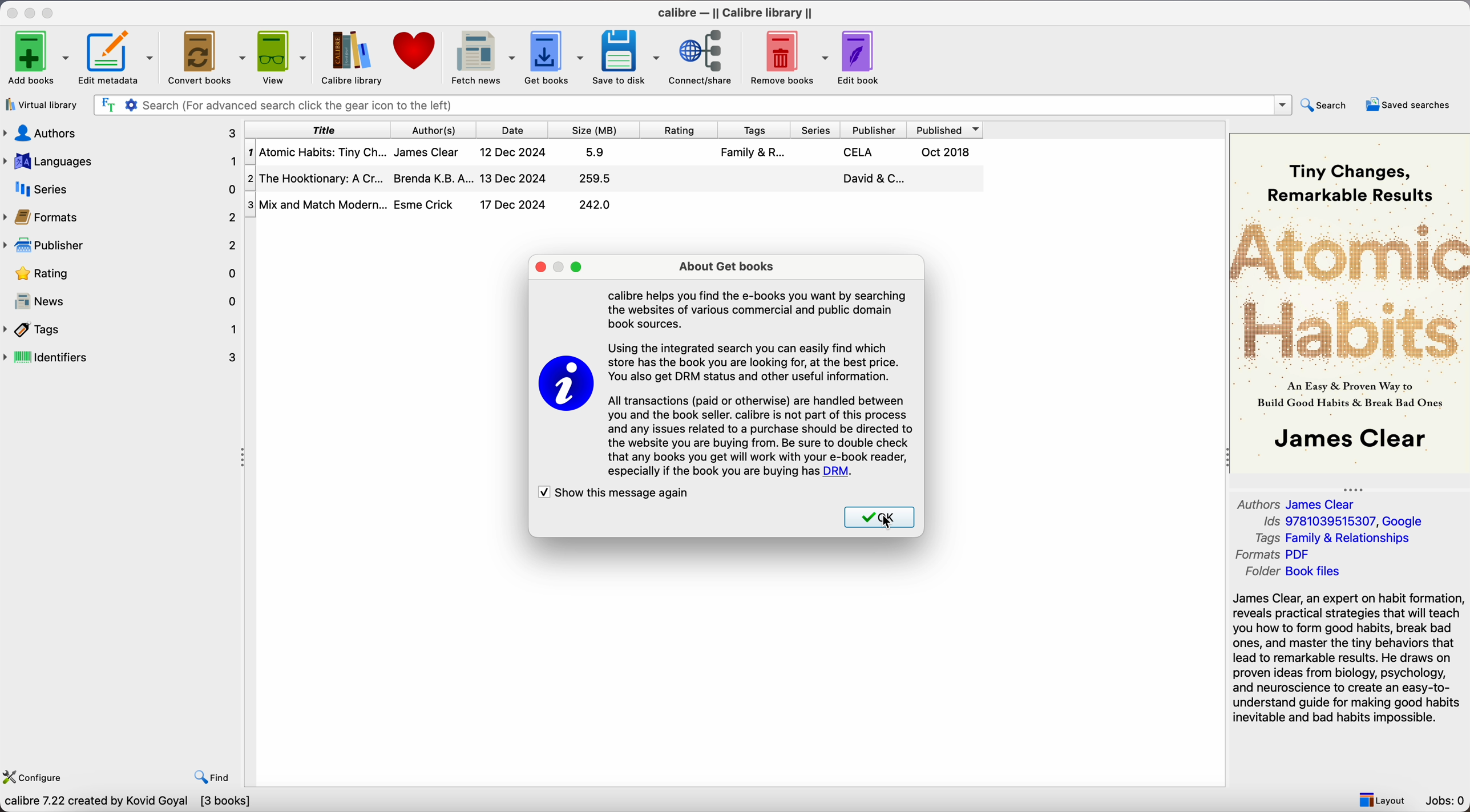 The width and height of the screenshot is (1470, 812). What do you see at coordinates (1332, 539) in the screenshot?
I see `Tags Family & Relationships` at bounding box center [1332, 539].